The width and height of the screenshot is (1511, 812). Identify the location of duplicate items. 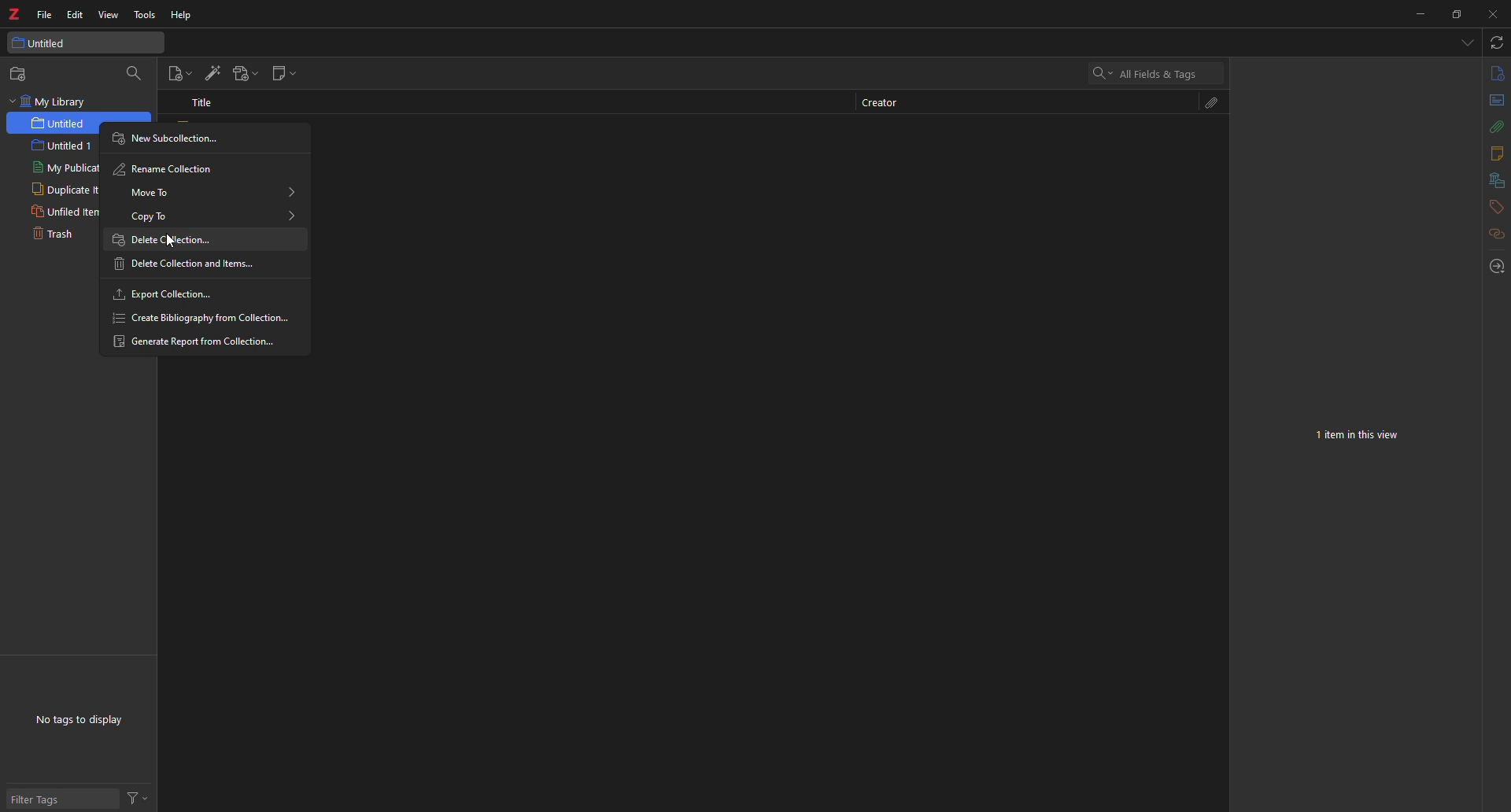
(66, 191).